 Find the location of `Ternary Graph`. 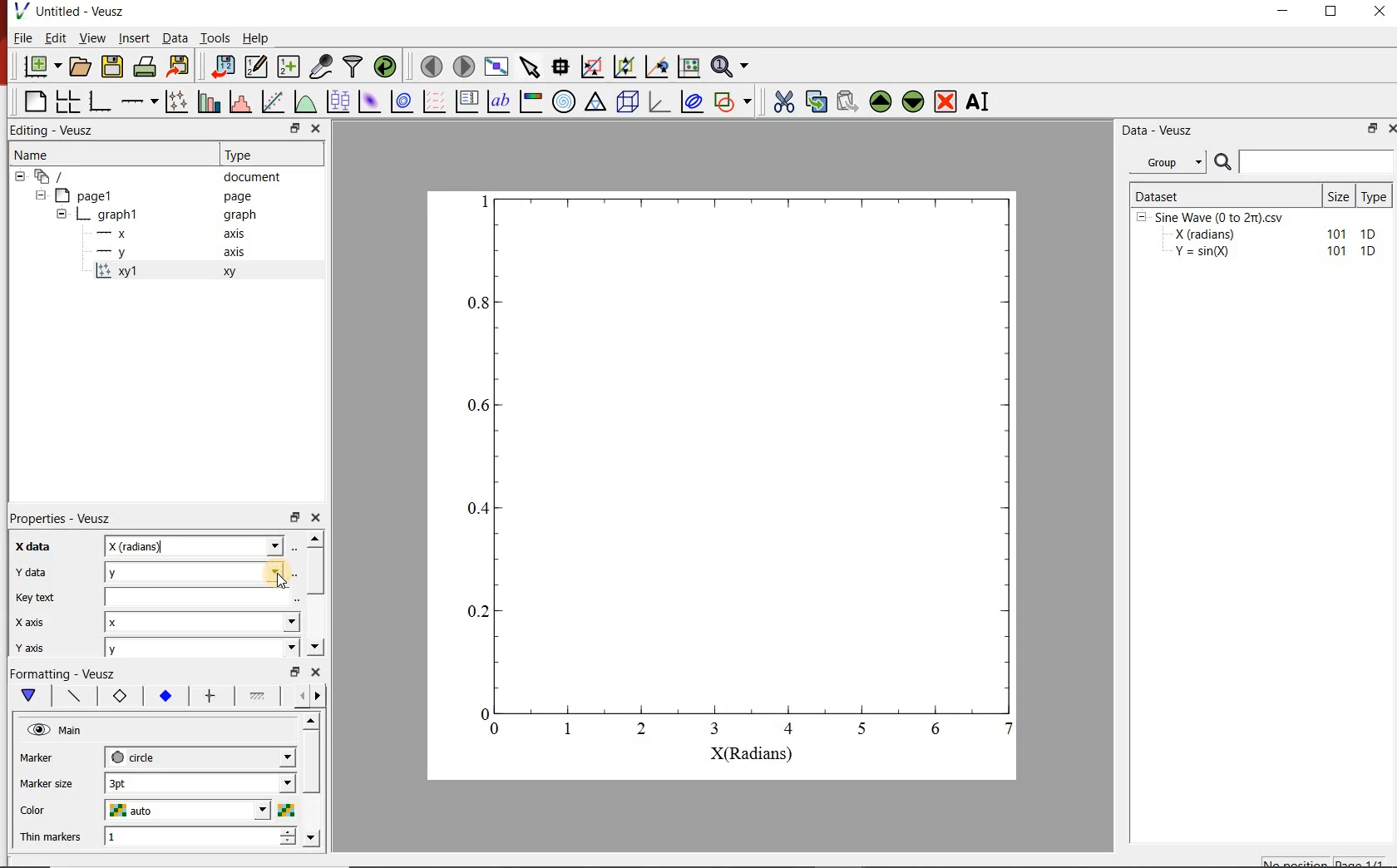

Ternary Graph is located at coordinates (596, 101).